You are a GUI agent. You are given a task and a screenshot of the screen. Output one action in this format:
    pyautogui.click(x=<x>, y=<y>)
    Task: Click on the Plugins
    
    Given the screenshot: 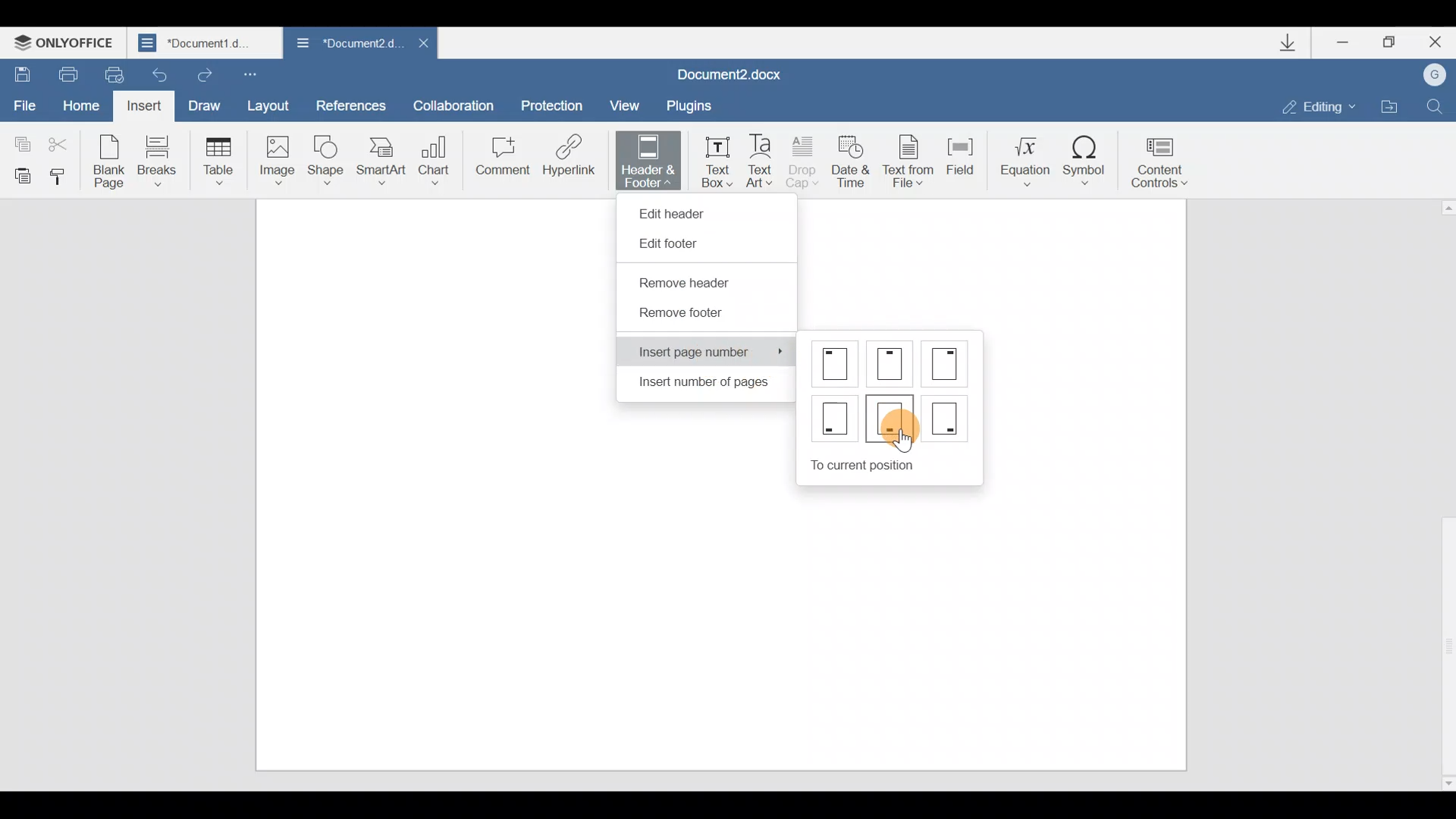 What is the action you would take?
    pyautogui.click(x=701, y=103)
    